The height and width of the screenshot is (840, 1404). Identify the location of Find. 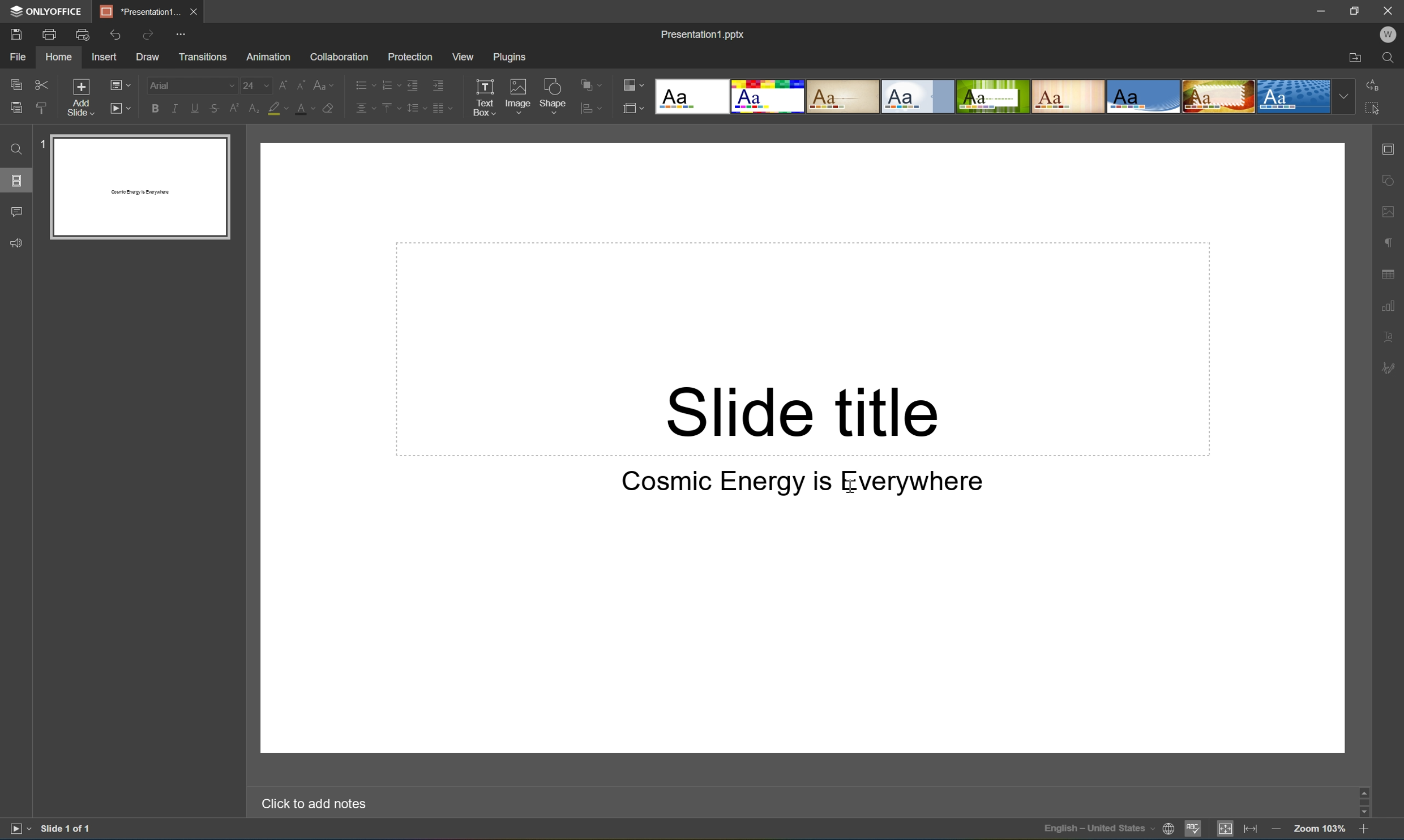
(16, 149).